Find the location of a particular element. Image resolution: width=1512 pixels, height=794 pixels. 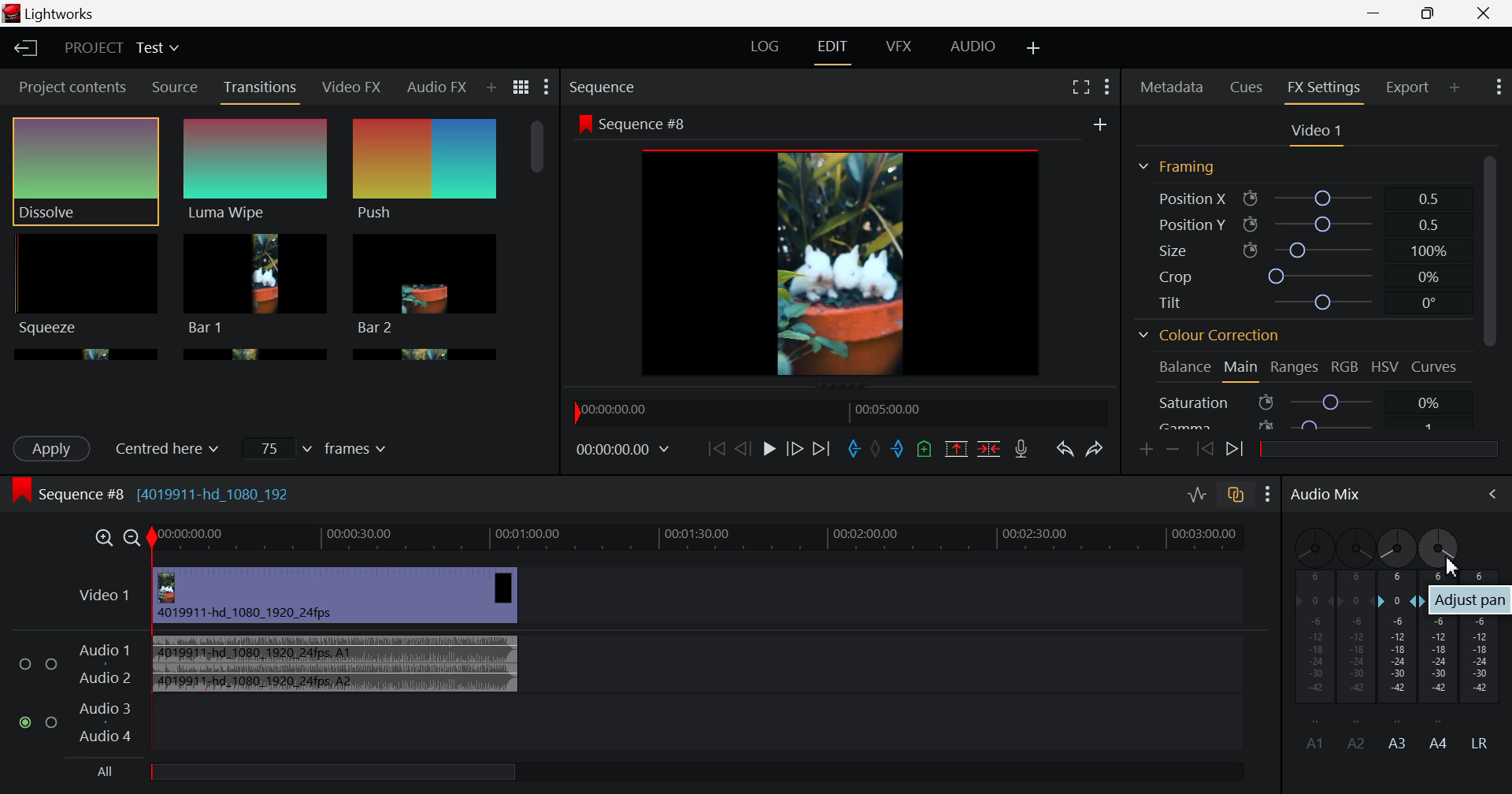

Position Y is located at coordinates (1301, 221).